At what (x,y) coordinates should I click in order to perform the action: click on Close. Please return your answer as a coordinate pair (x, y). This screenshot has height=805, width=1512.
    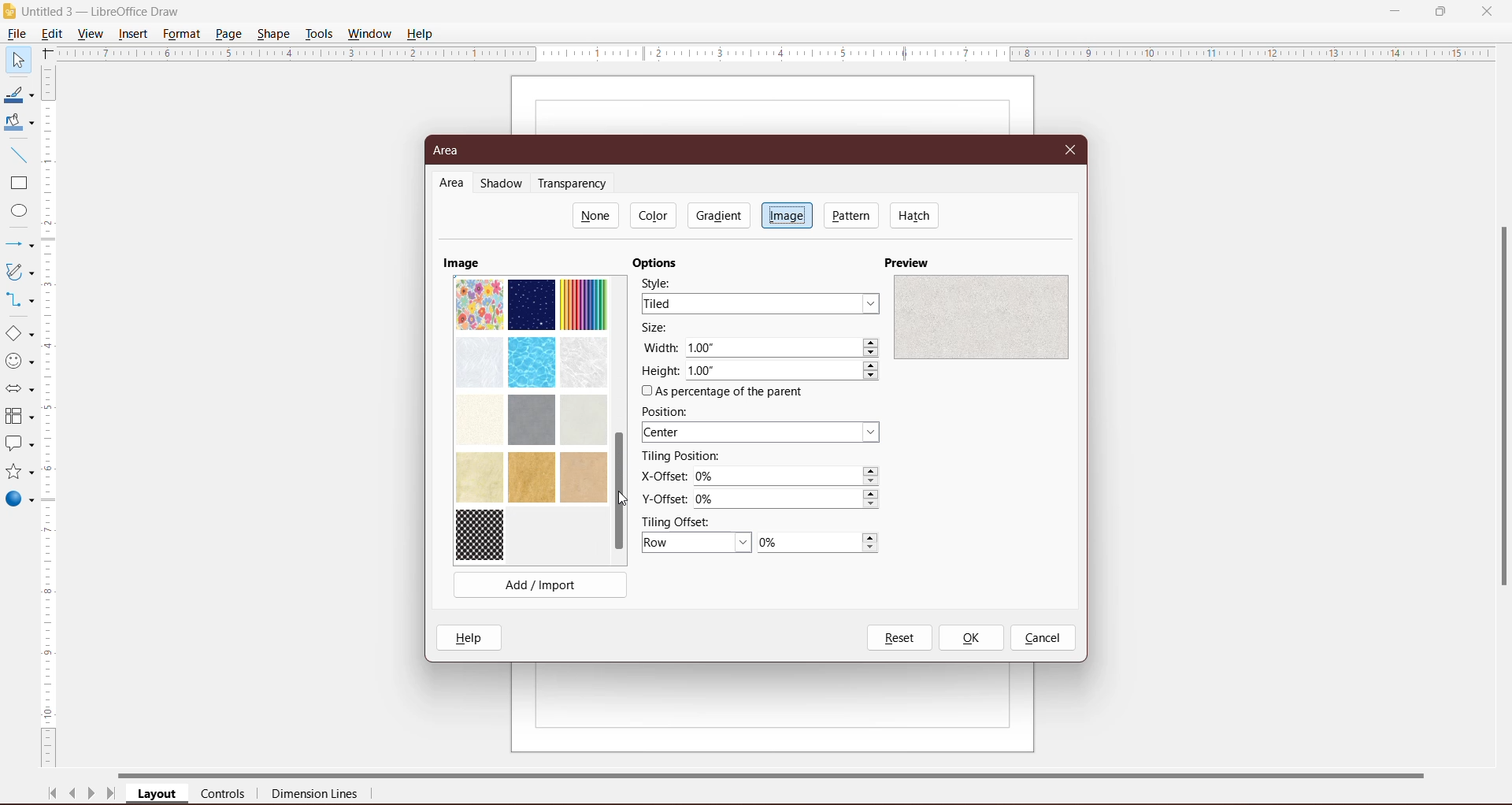
    Looking at the image, I should click on (1487, 10).